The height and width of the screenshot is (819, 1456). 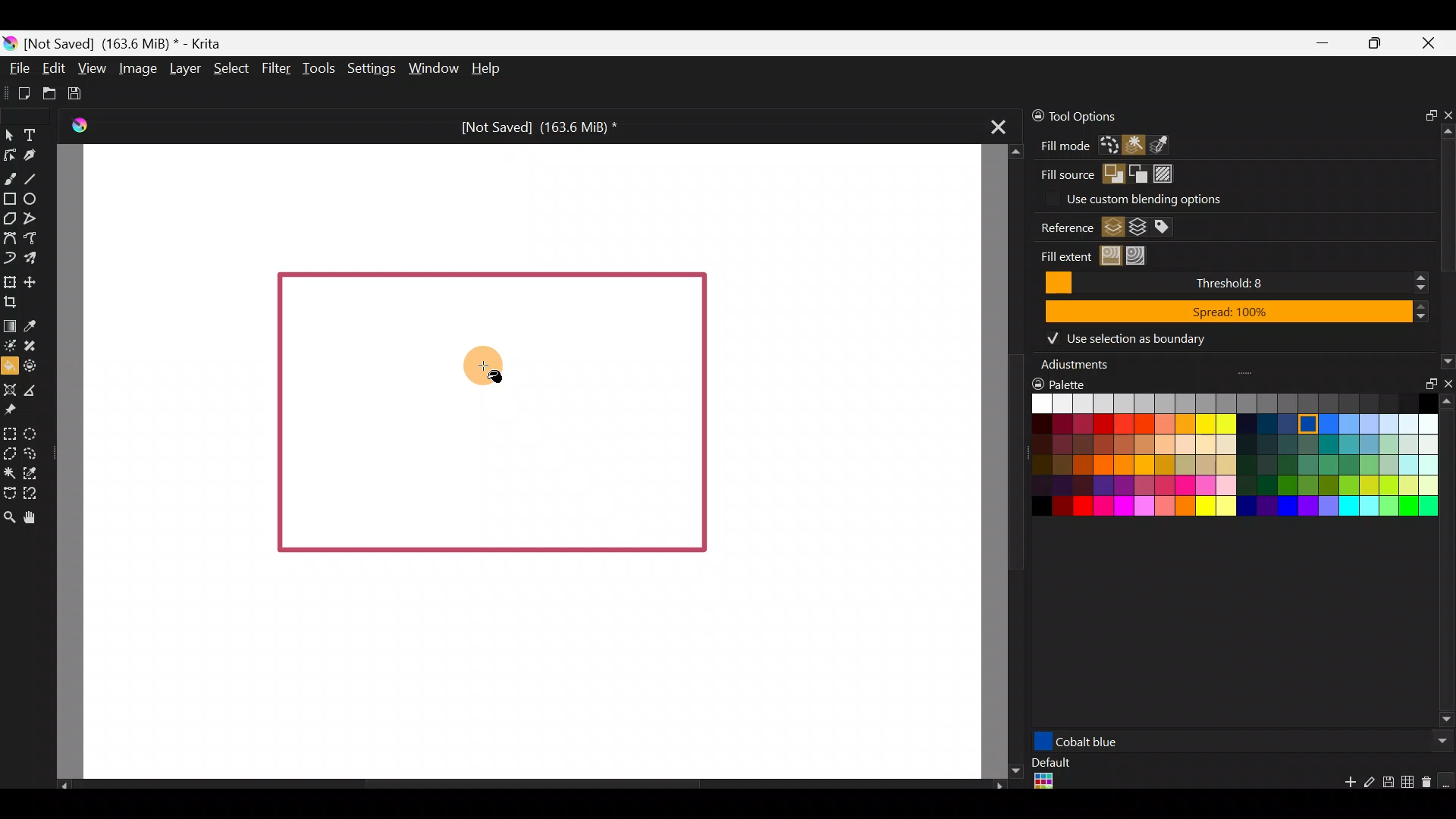 What do you see at coordinates (17, 303) in the screenshot?
I see `Crop the image to an area` at bounding box center [17, 303].